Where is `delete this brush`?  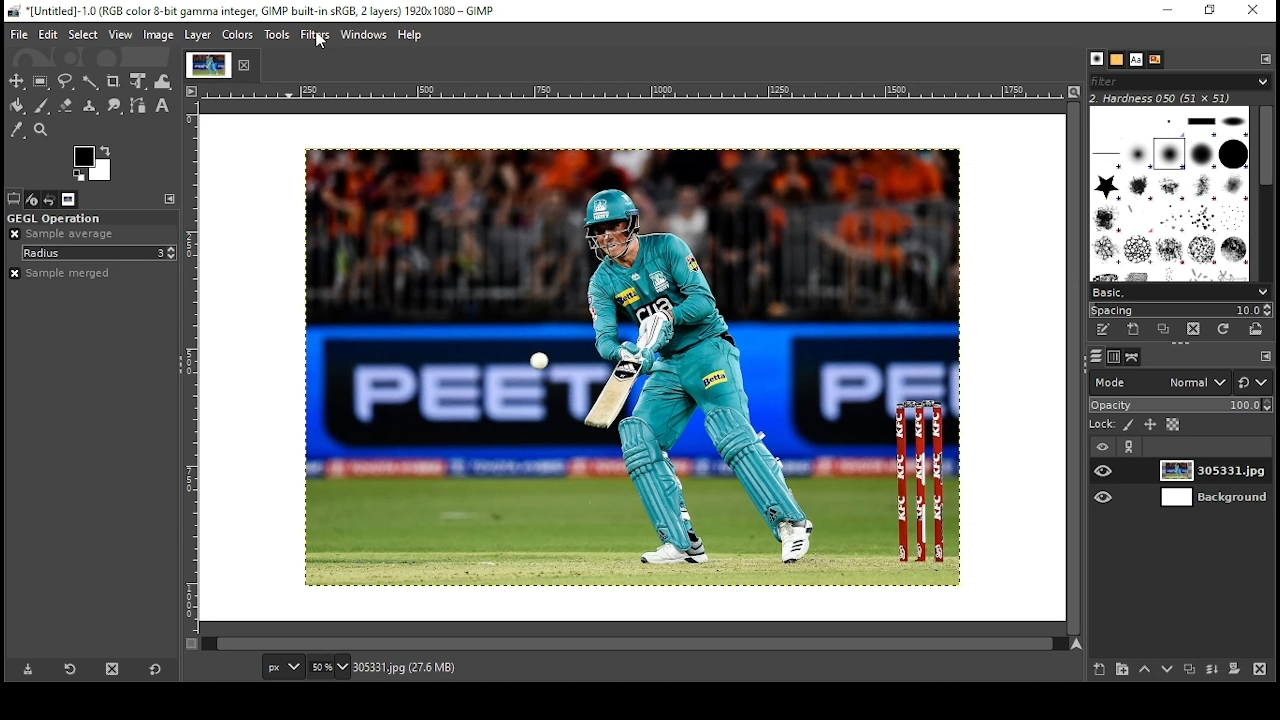 delete this brush is located at coordinates (1194, 328).